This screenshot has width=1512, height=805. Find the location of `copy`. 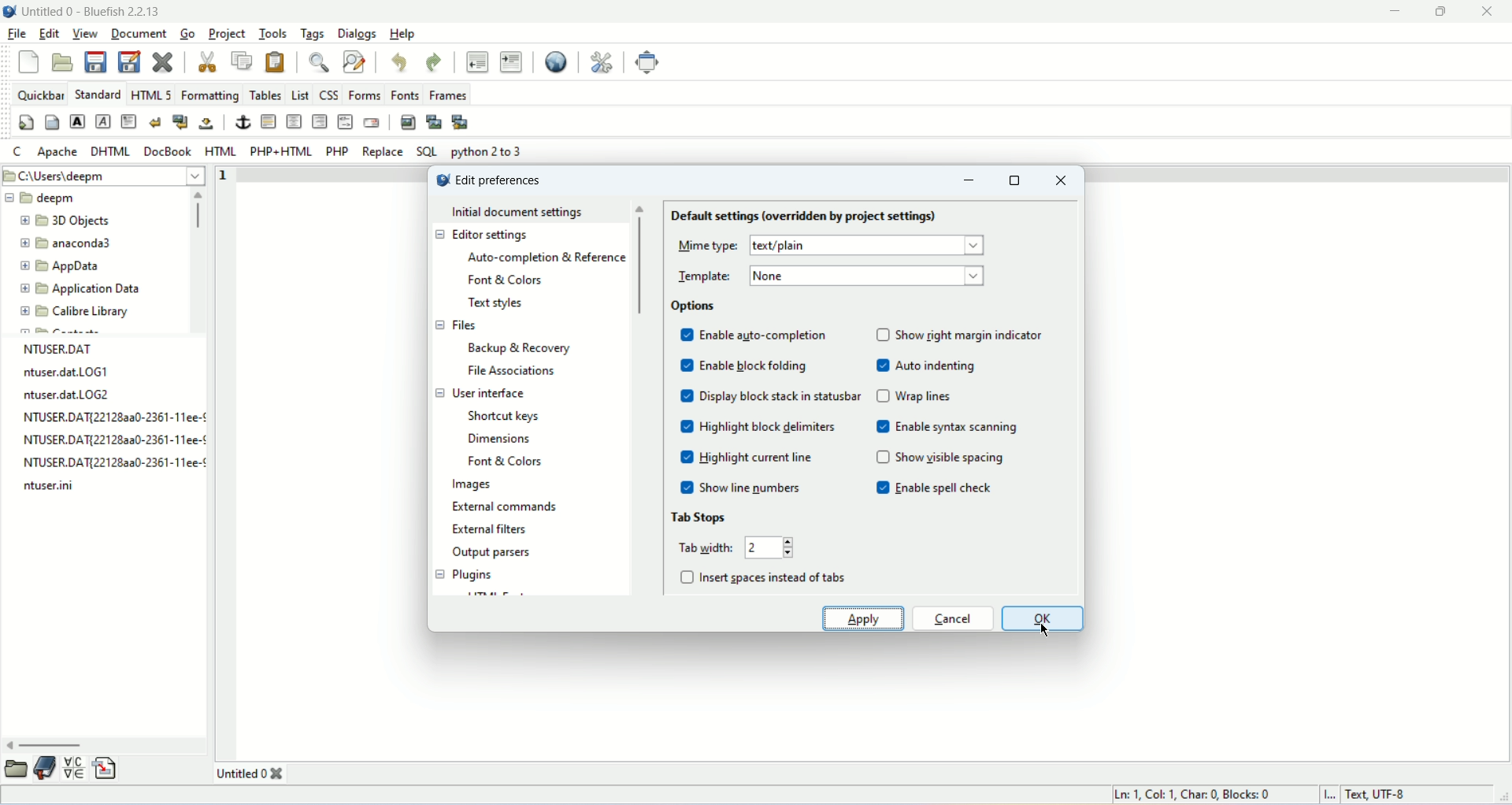

copy is located at coordinates (242, 59).